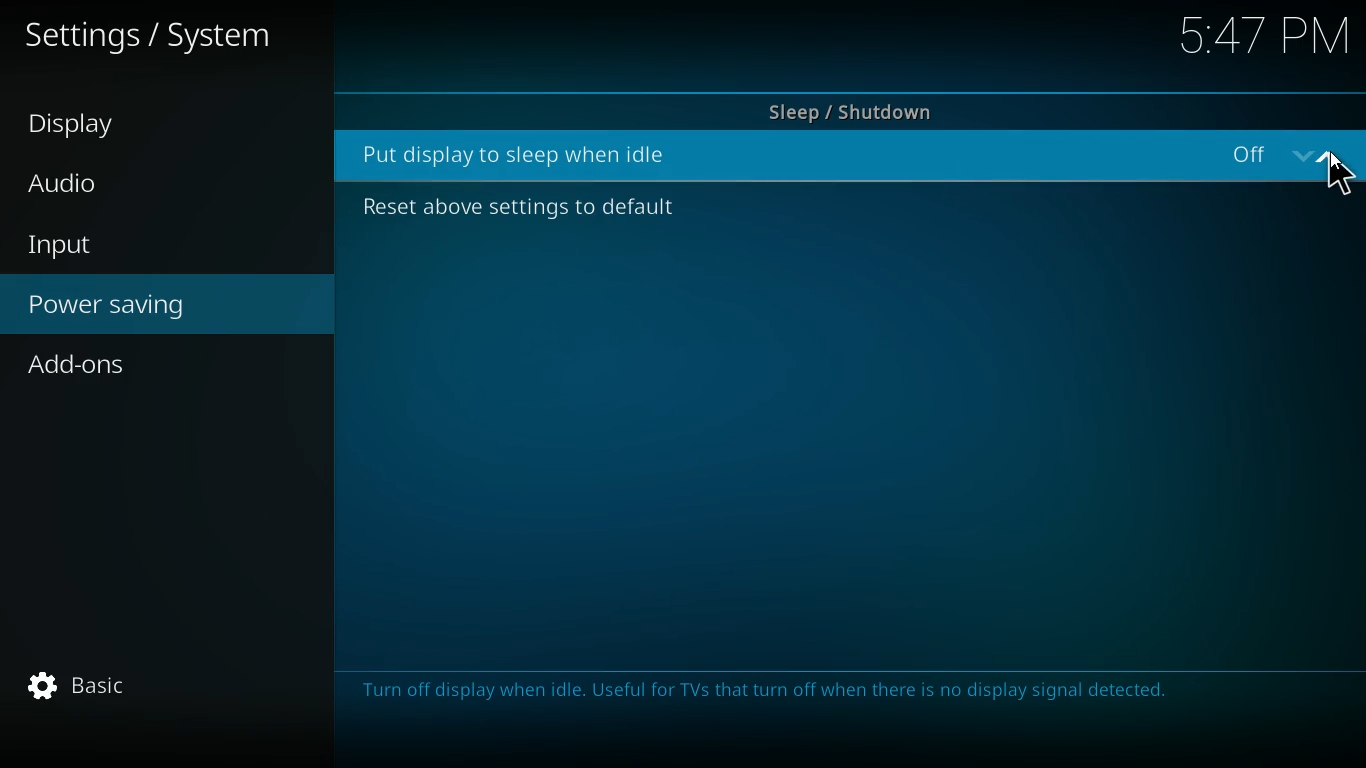  I want to click on off, so click(1293, 158).